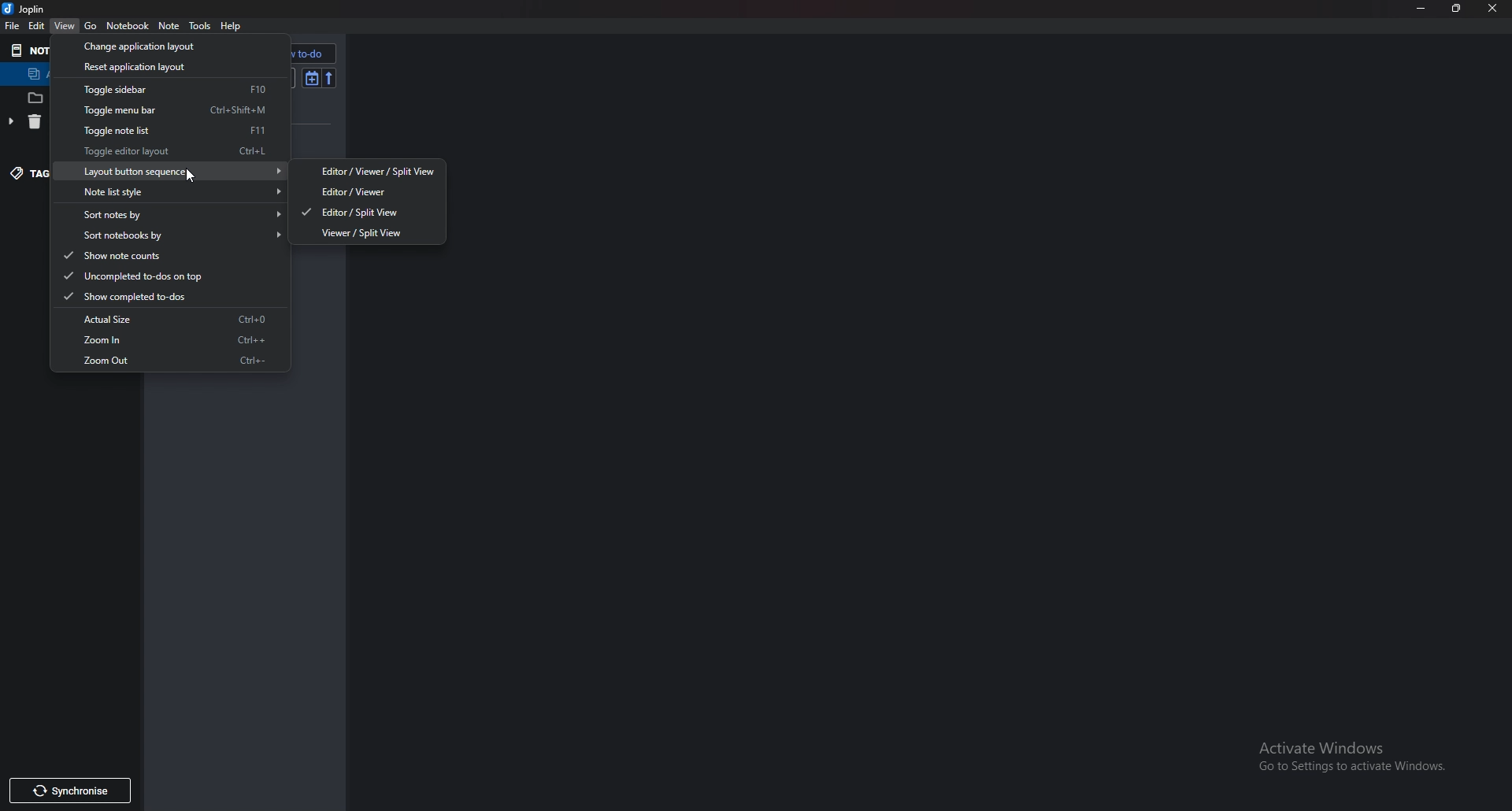 The image size is (1512, 811). Describe the element at coordinates (369, 231) in the screenshot. I see `Viewer/ Splitview` at that location.